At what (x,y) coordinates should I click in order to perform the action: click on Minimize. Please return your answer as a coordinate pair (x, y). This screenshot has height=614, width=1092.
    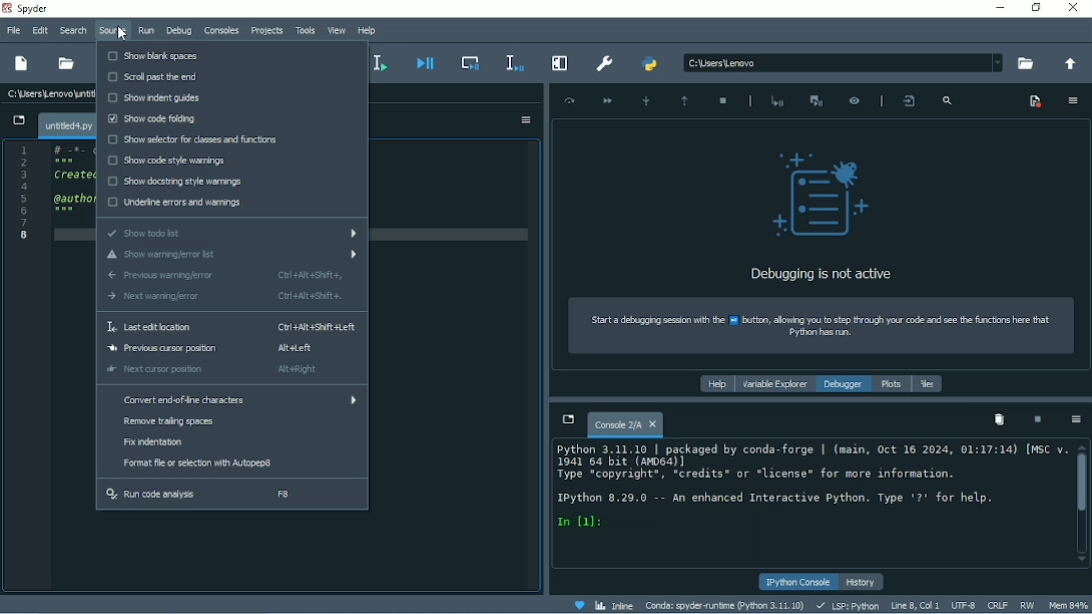
    Looking at the image, I should click on (1002, 8).